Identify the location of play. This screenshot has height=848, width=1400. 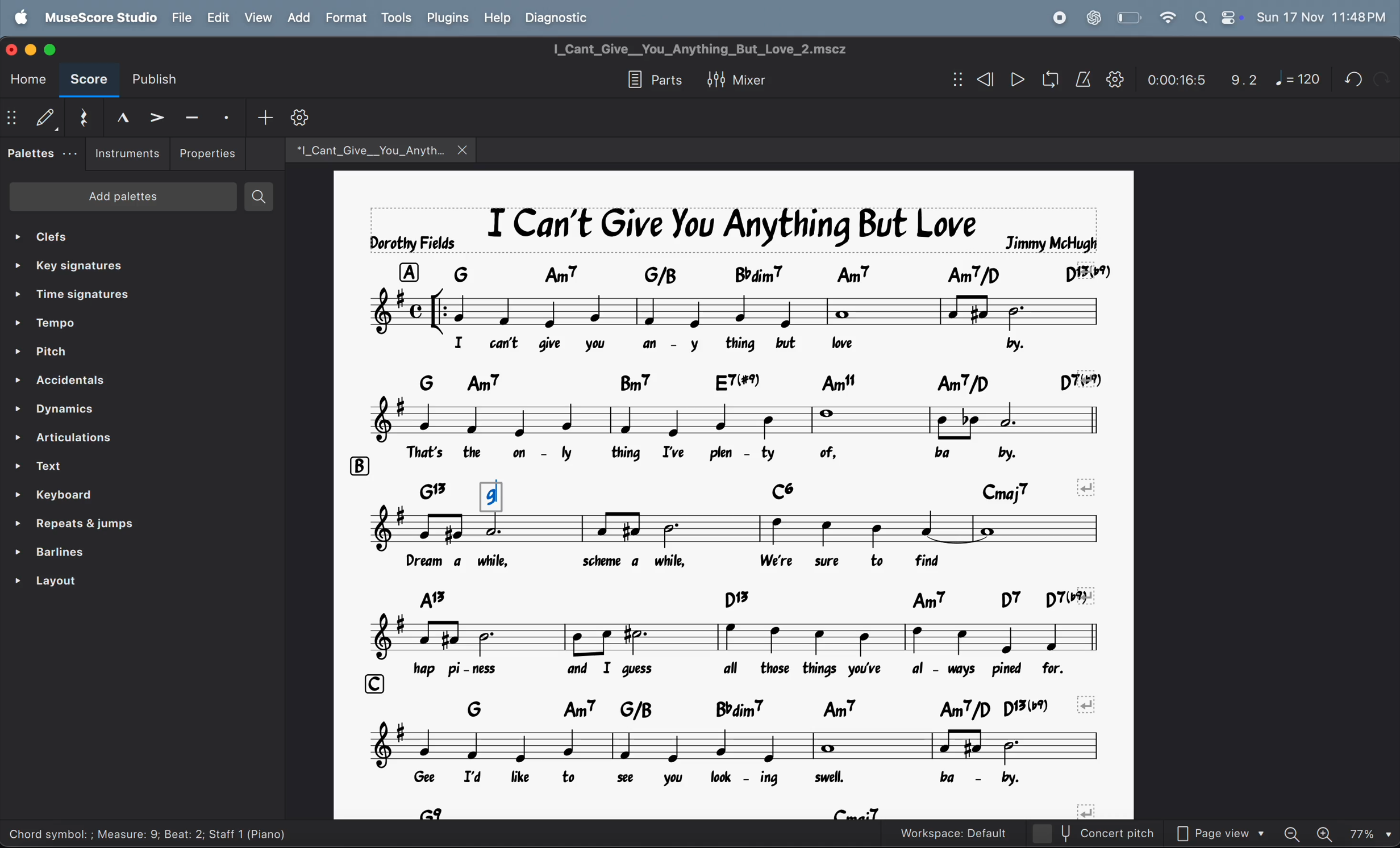
(1013, 79).